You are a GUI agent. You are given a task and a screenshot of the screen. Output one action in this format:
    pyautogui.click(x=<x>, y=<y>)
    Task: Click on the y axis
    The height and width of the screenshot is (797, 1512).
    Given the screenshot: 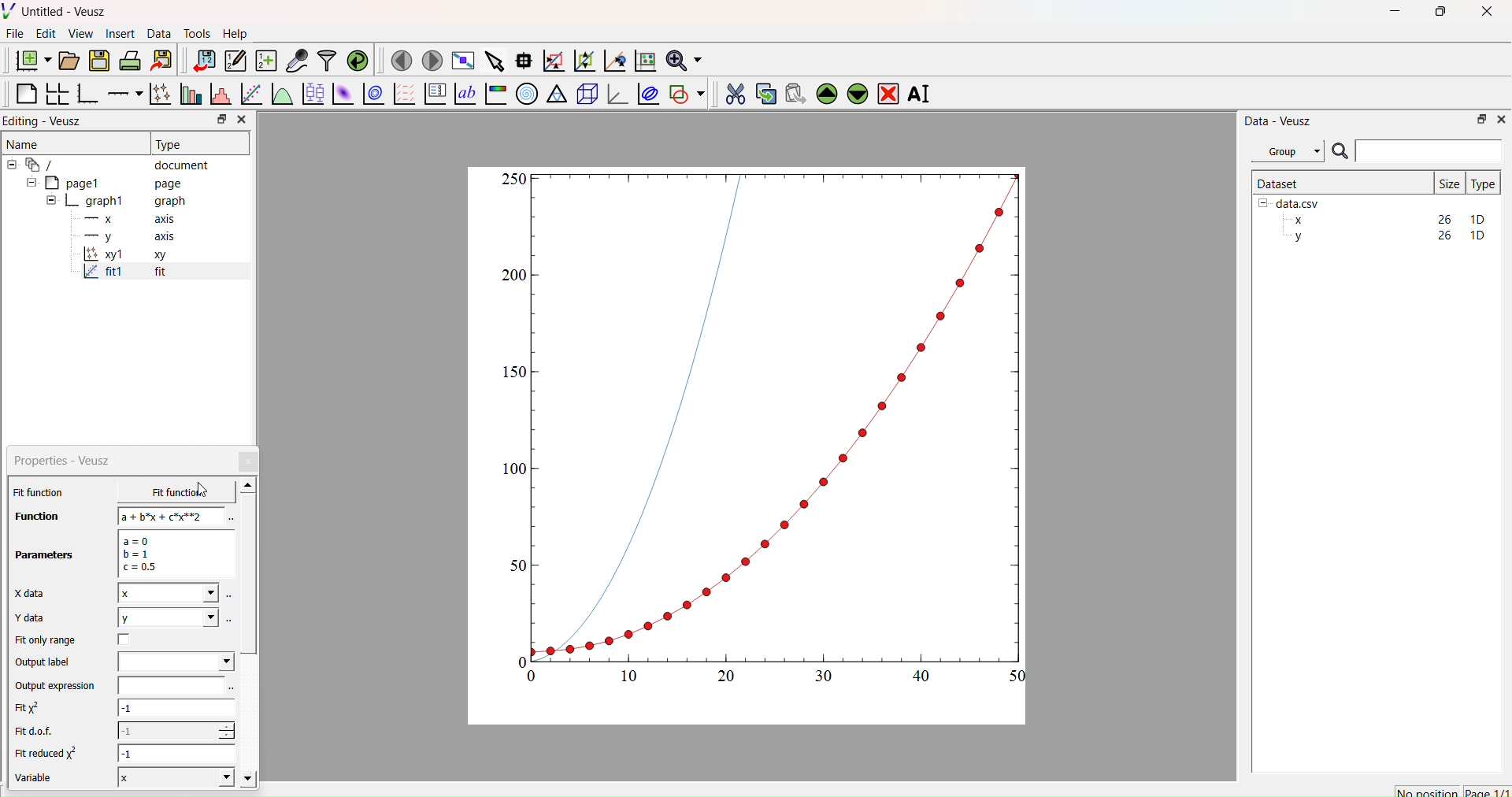 What is the action you would take?
    pyautogui.click(x=120, y=236)
    